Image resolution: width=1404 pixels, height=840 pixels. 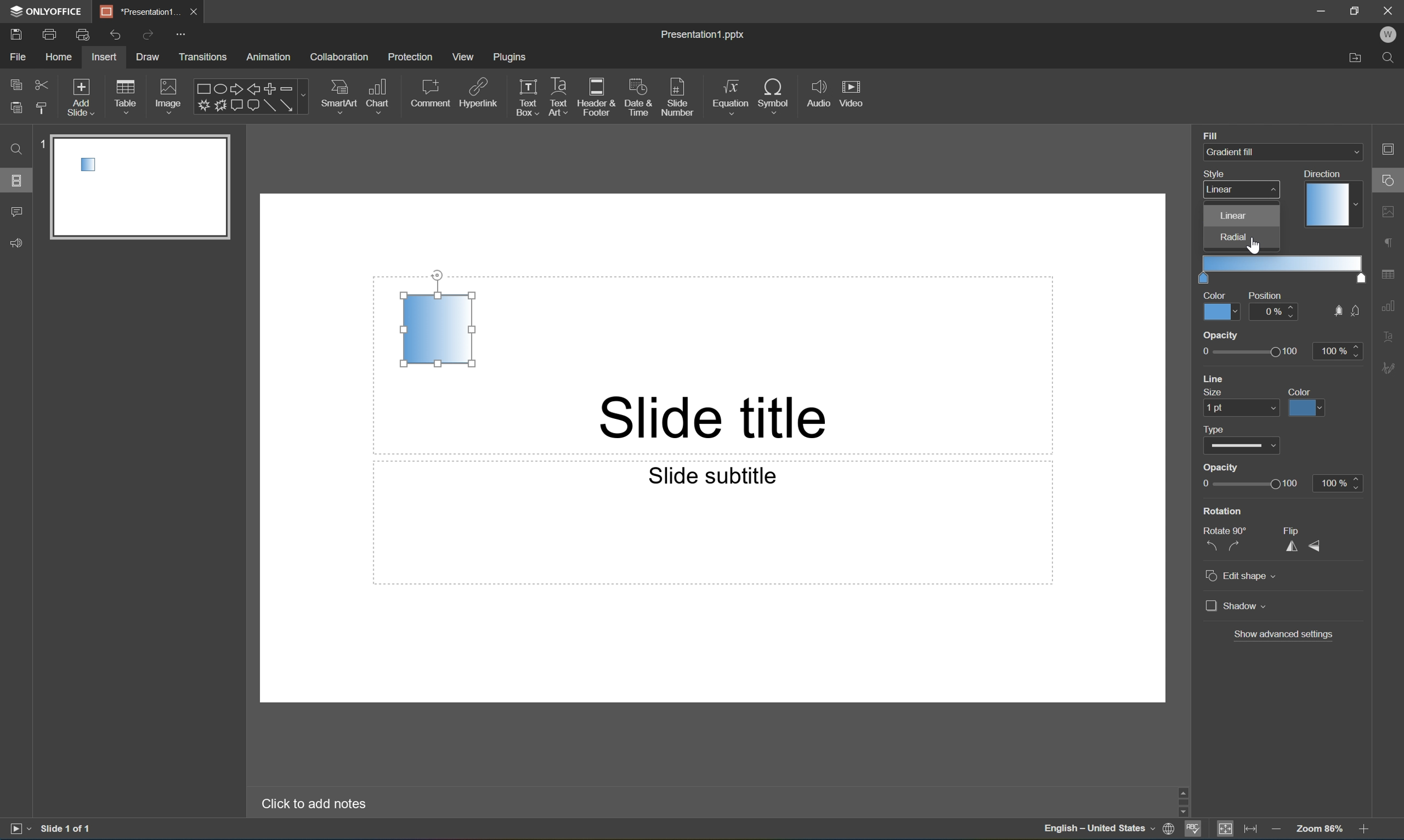 I want to click on ONLYOFFICE, so click(x=48, y=11).